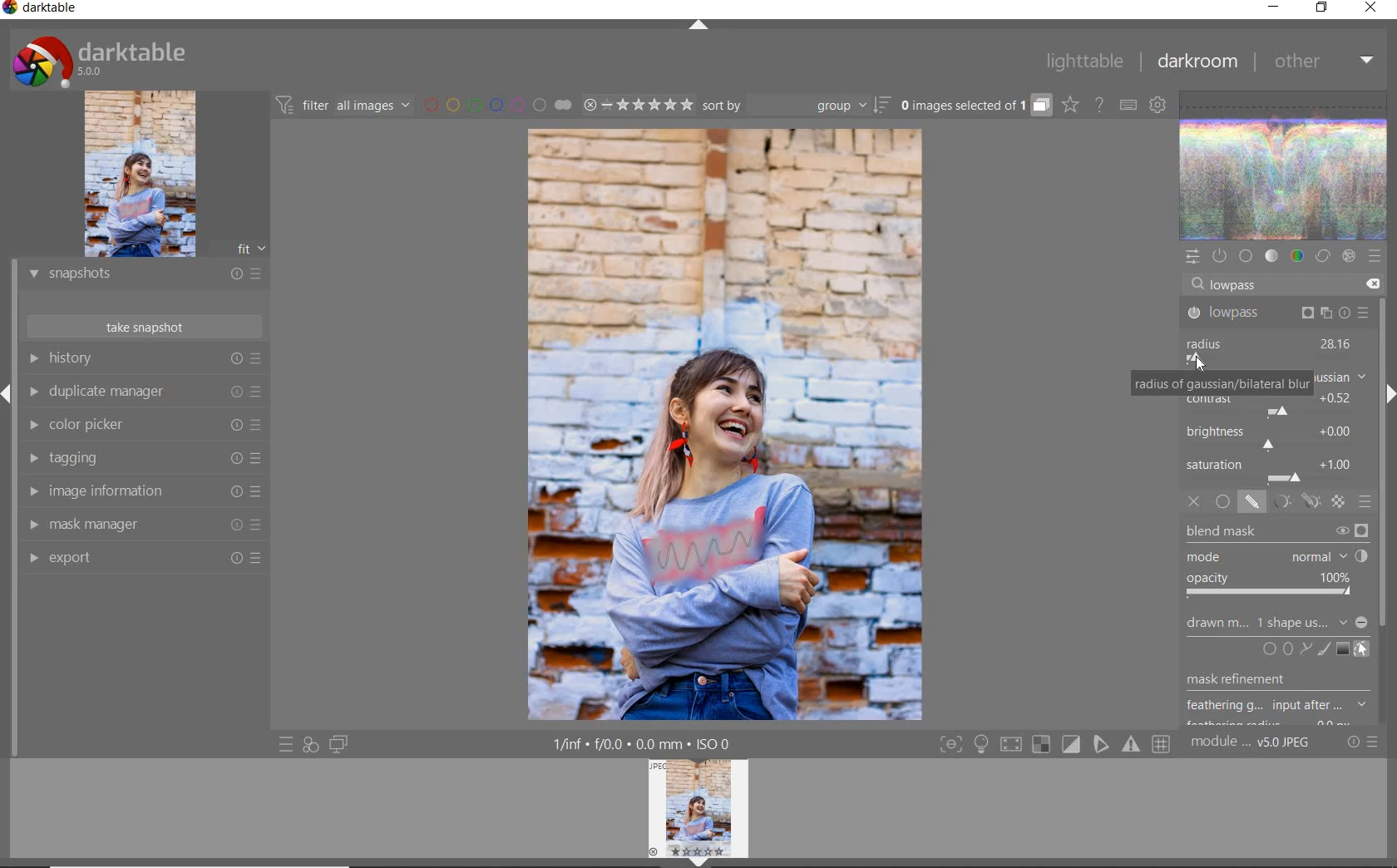 Image resolution: width=1397 pixels, height=868 pixels. I want to click on radius adjusted, so click(1273, 349).